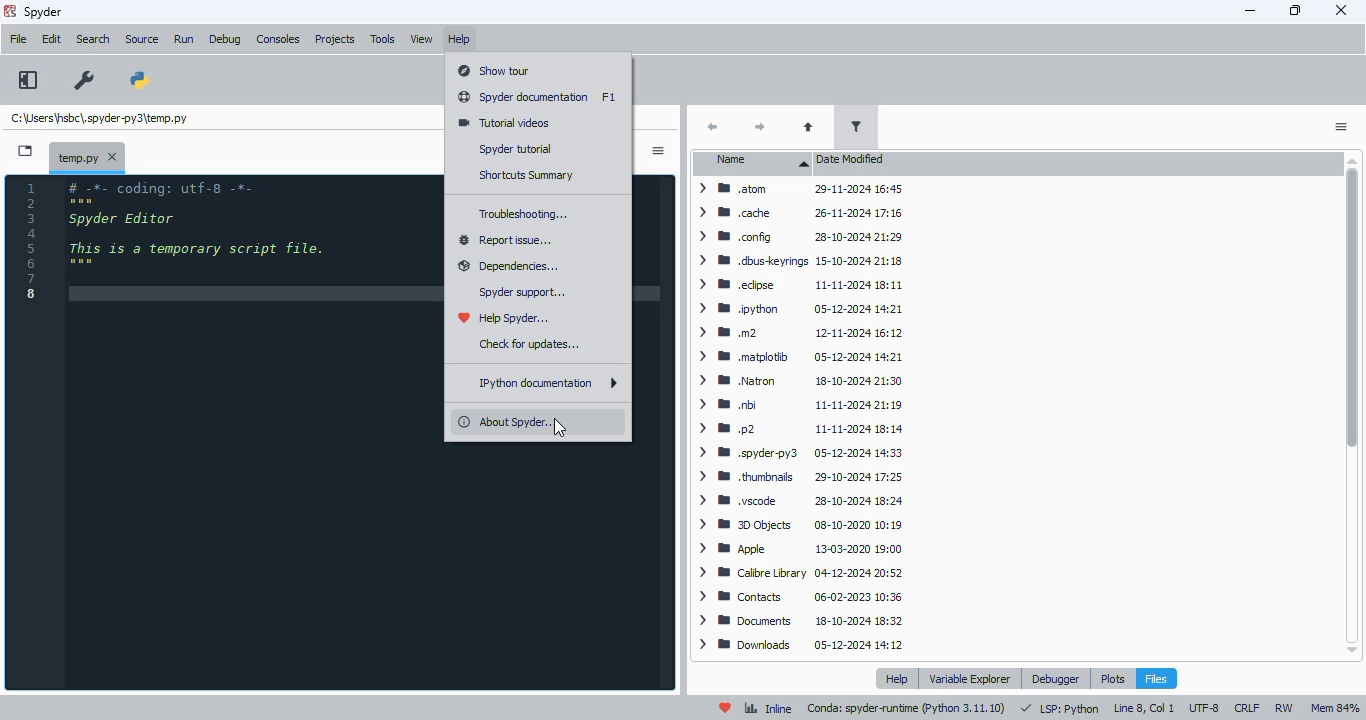  I want to click on run, so click(183, 40).